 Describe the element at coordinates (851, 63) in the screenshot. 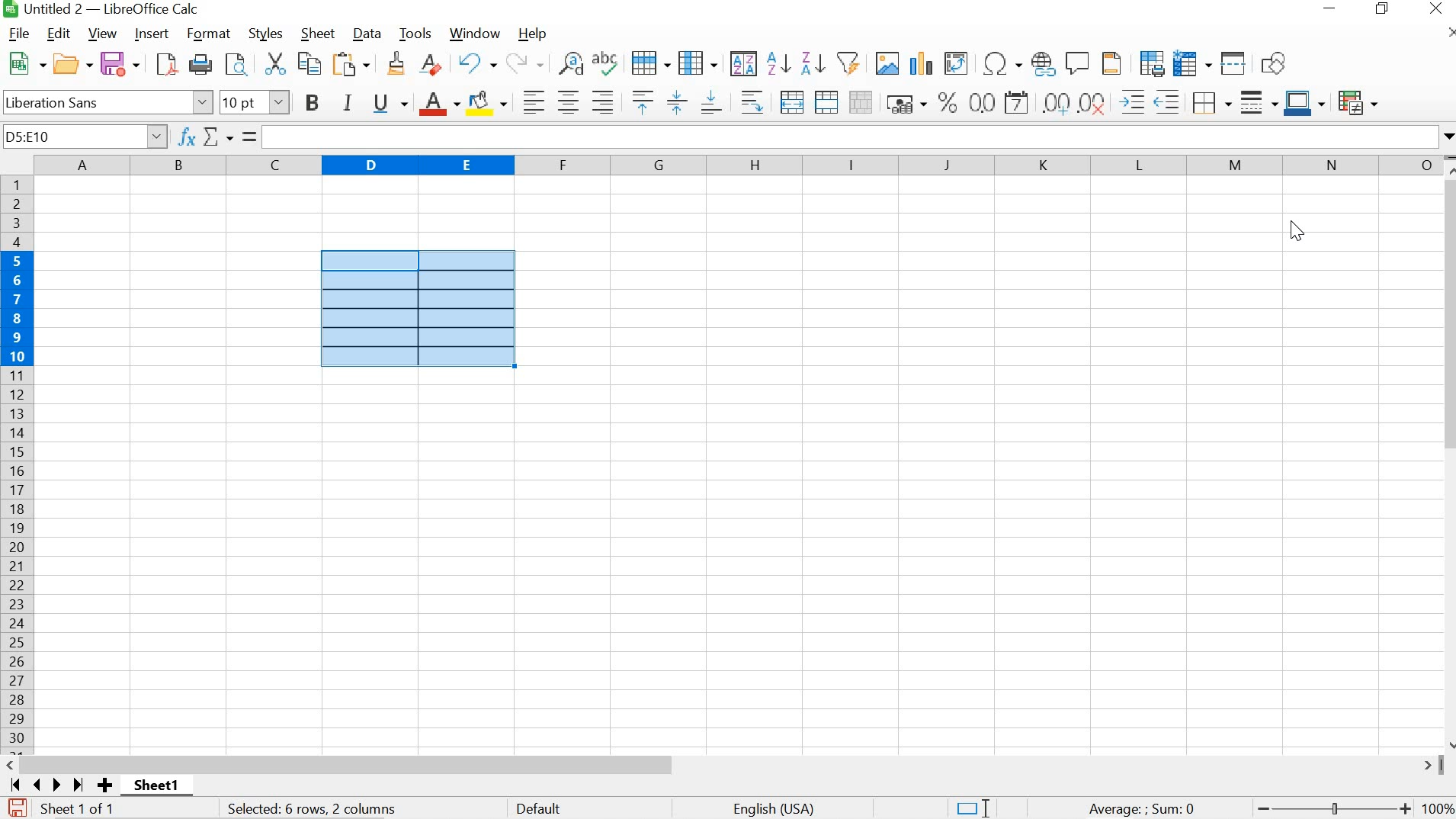

I see `autofilter` at that location.